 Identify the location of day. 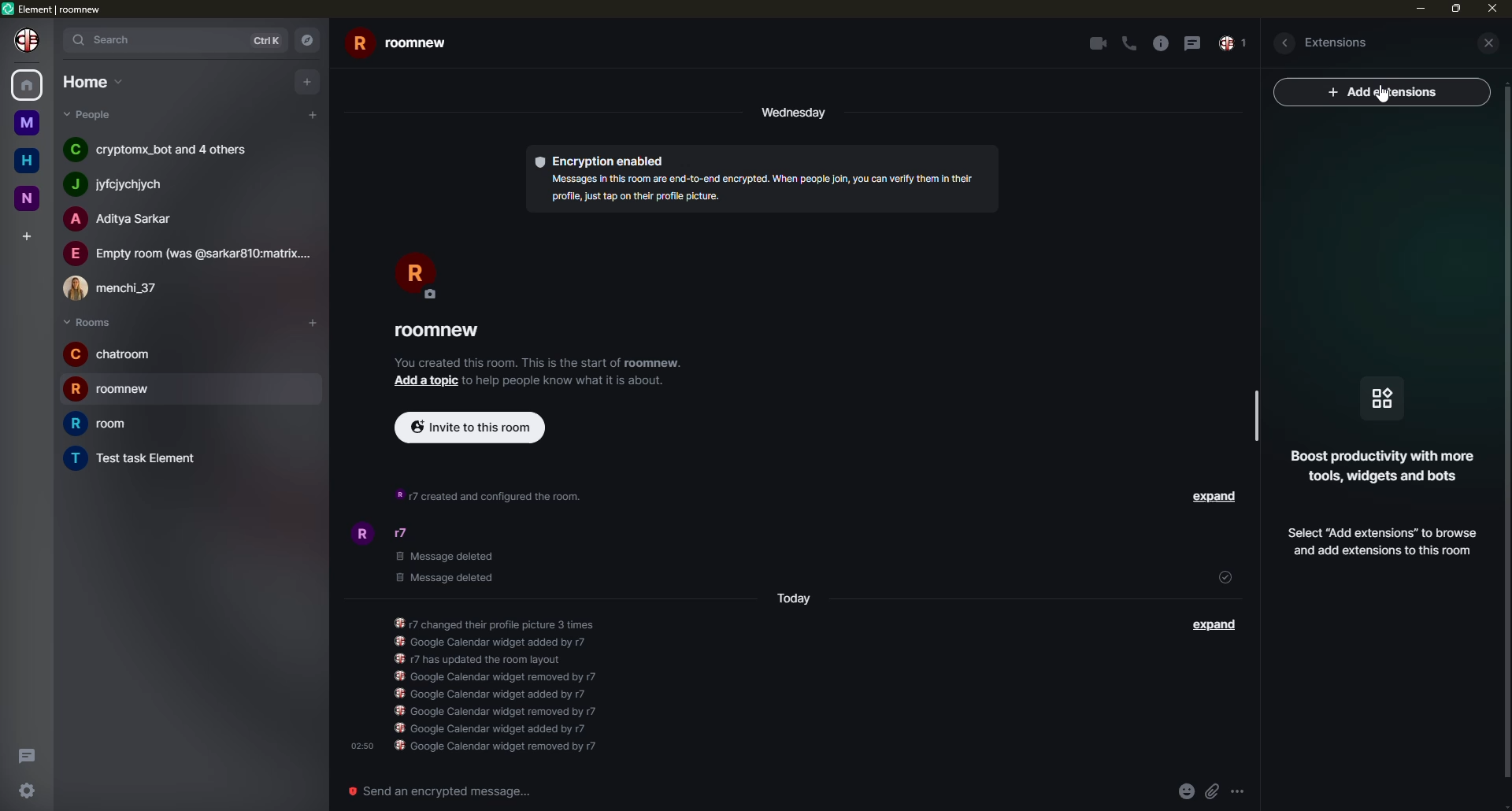
(787, 111).